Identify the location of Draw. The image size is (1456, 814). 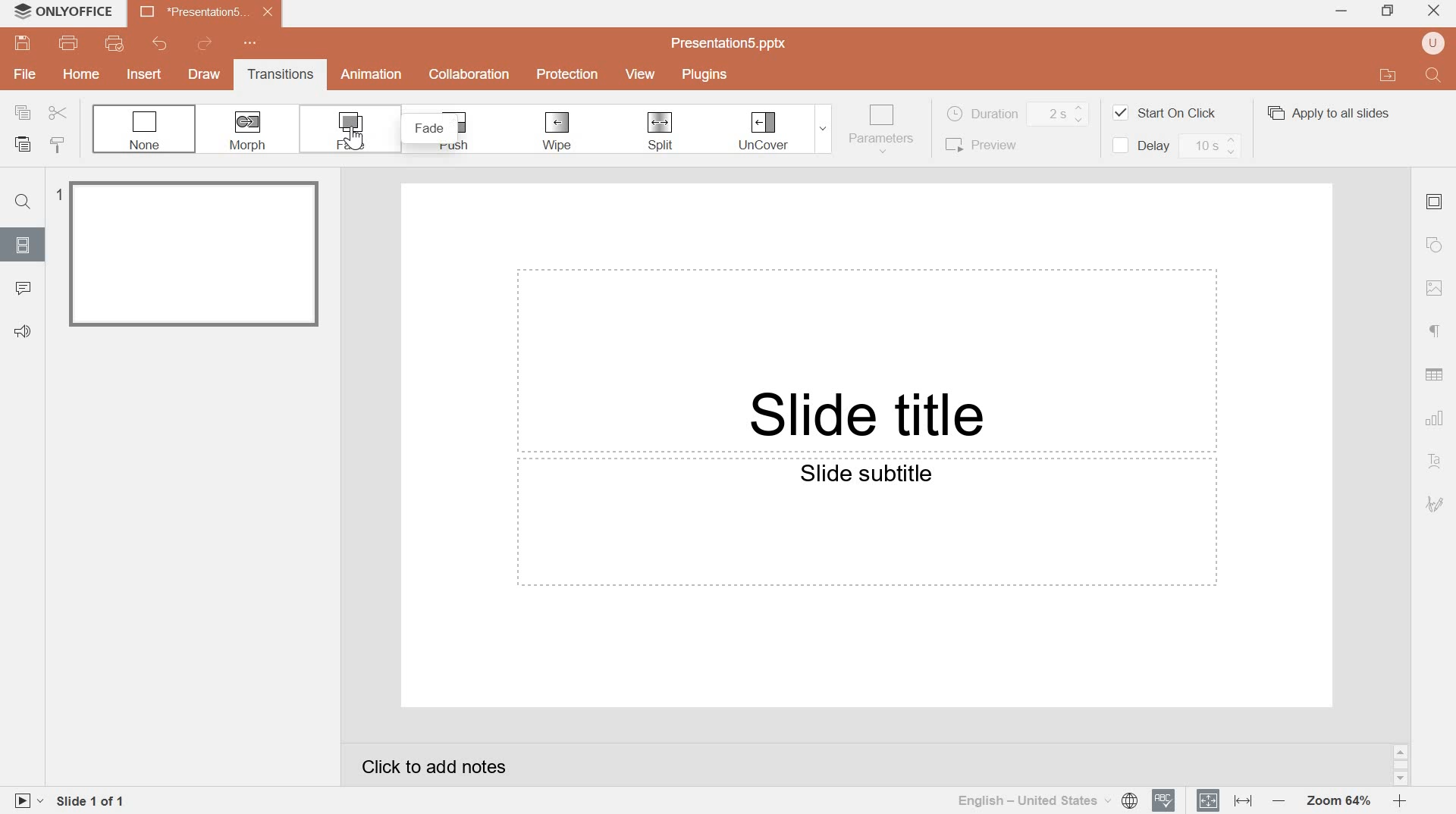
(204, 76).